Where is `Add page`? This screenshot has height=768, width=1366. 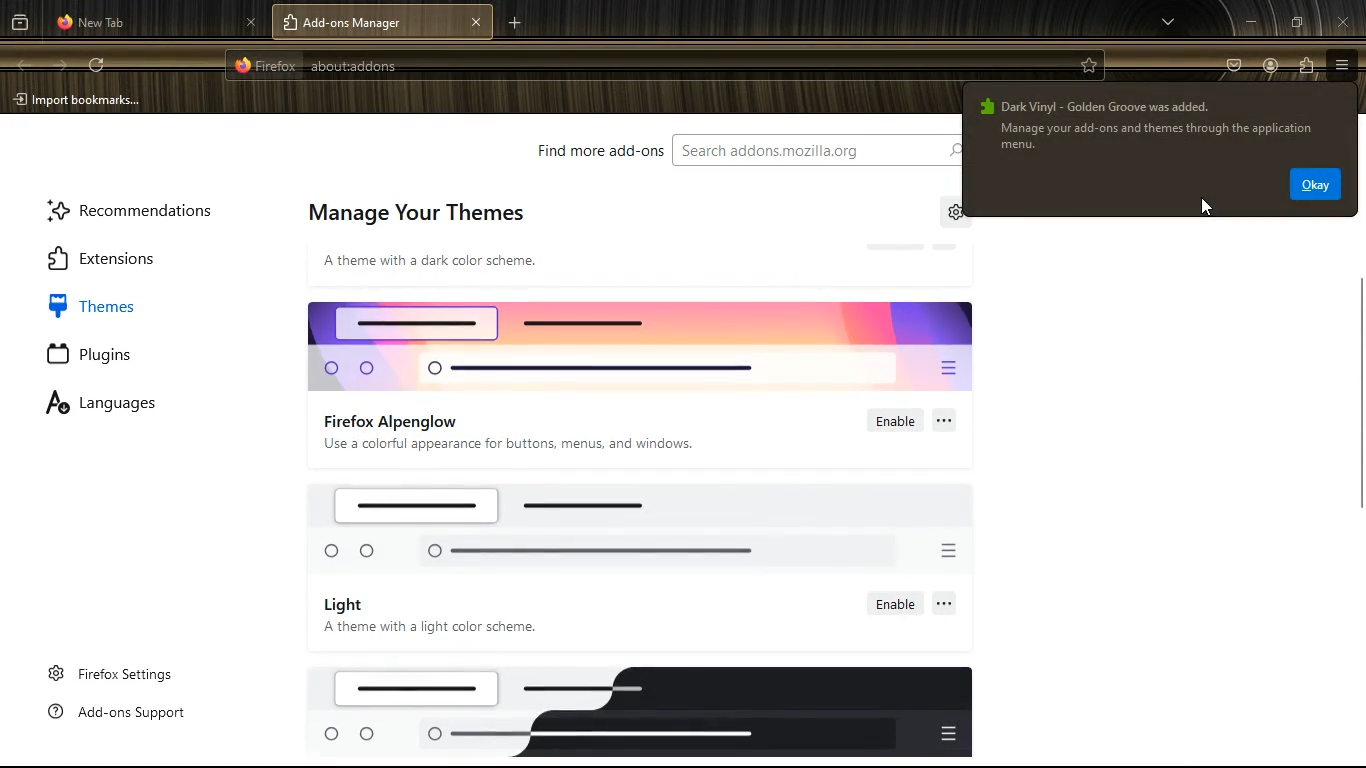 Add page is located at coordinates (514, 23).